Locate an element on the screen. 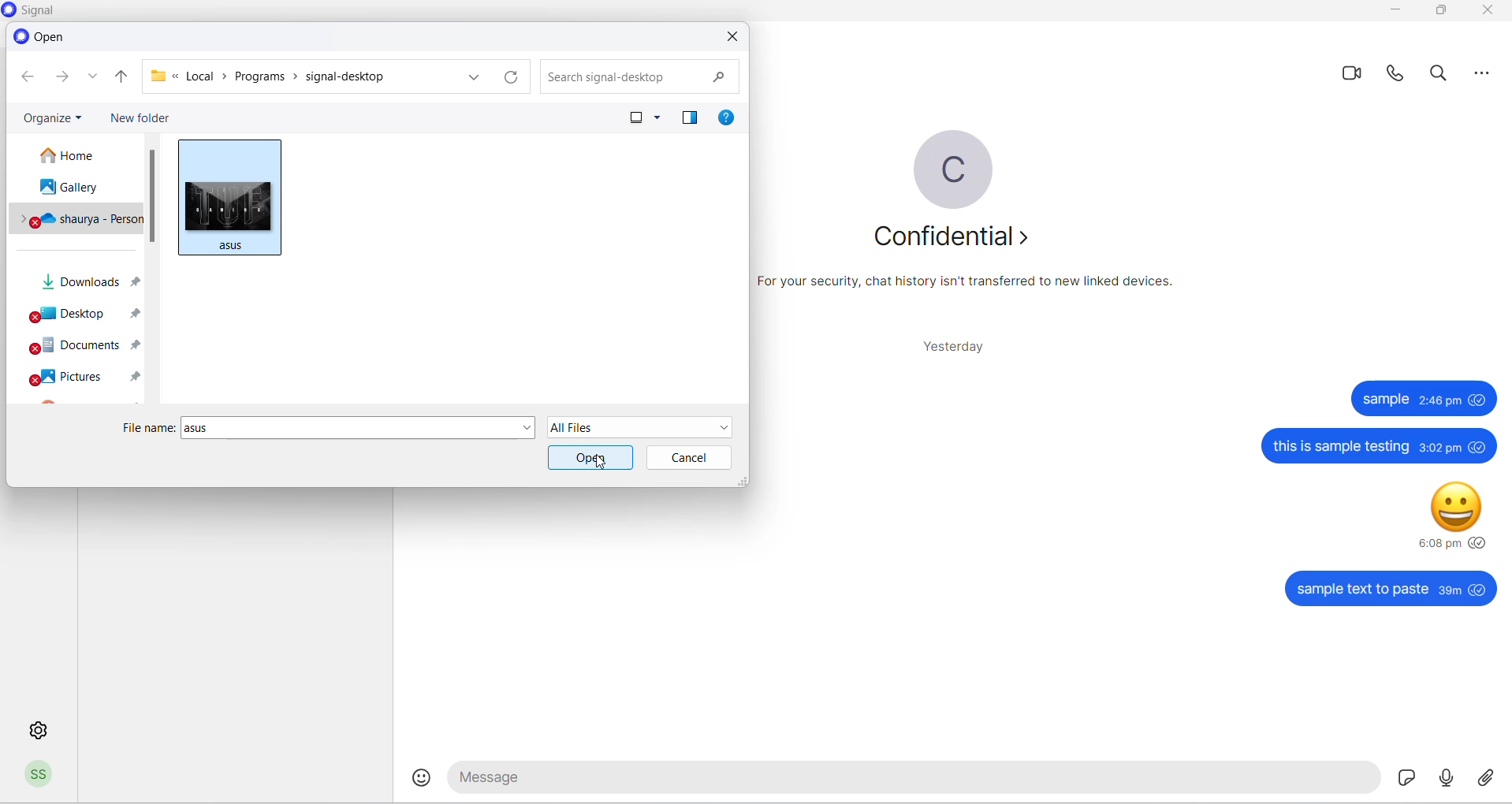 Image resolution: width=1512 pixels, height=804 pixels. pictures is located at coordinates (84, 378).